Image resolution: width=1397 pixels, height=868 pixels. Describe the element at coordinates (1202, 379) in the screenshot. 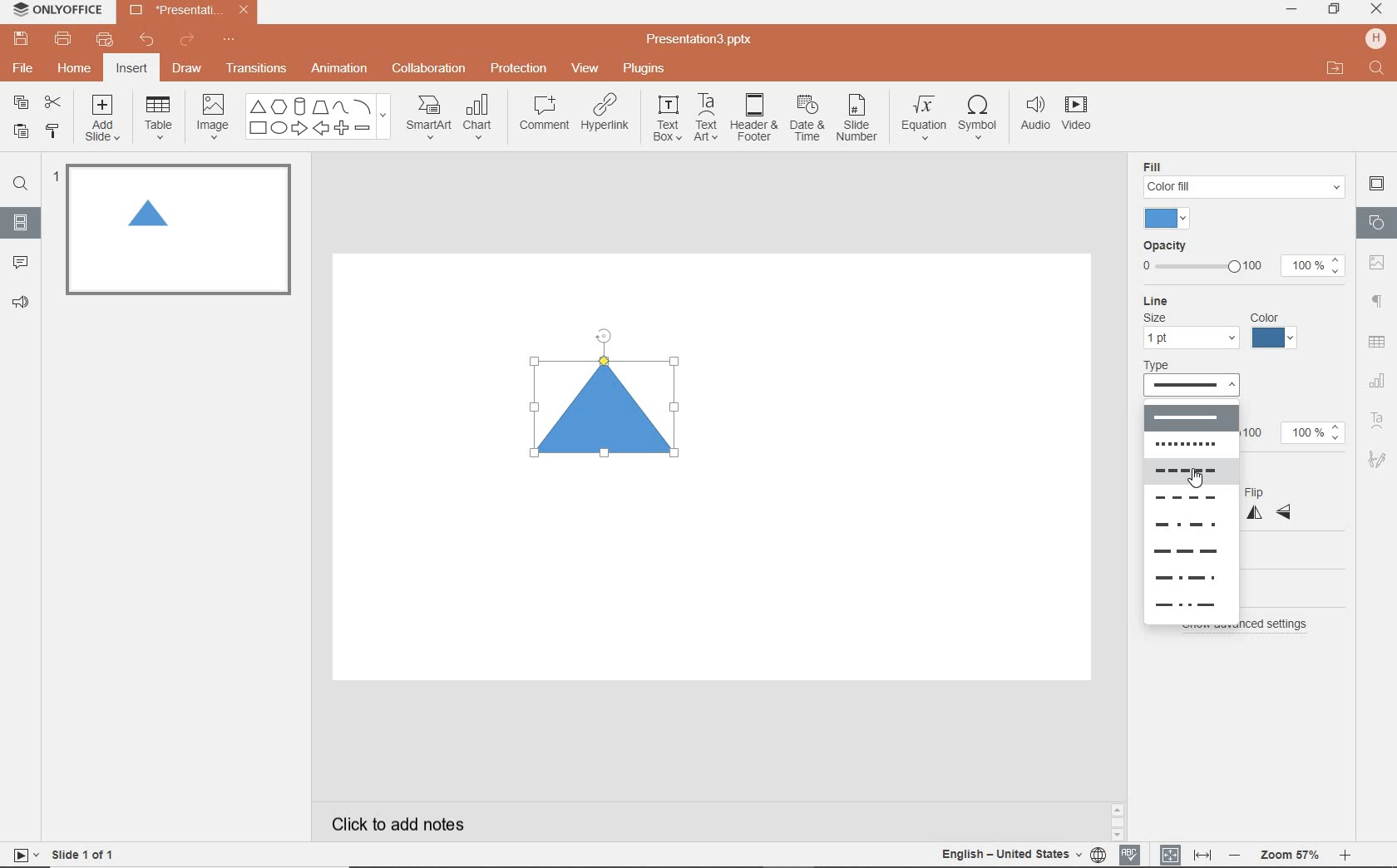

I see `line type` at that location.